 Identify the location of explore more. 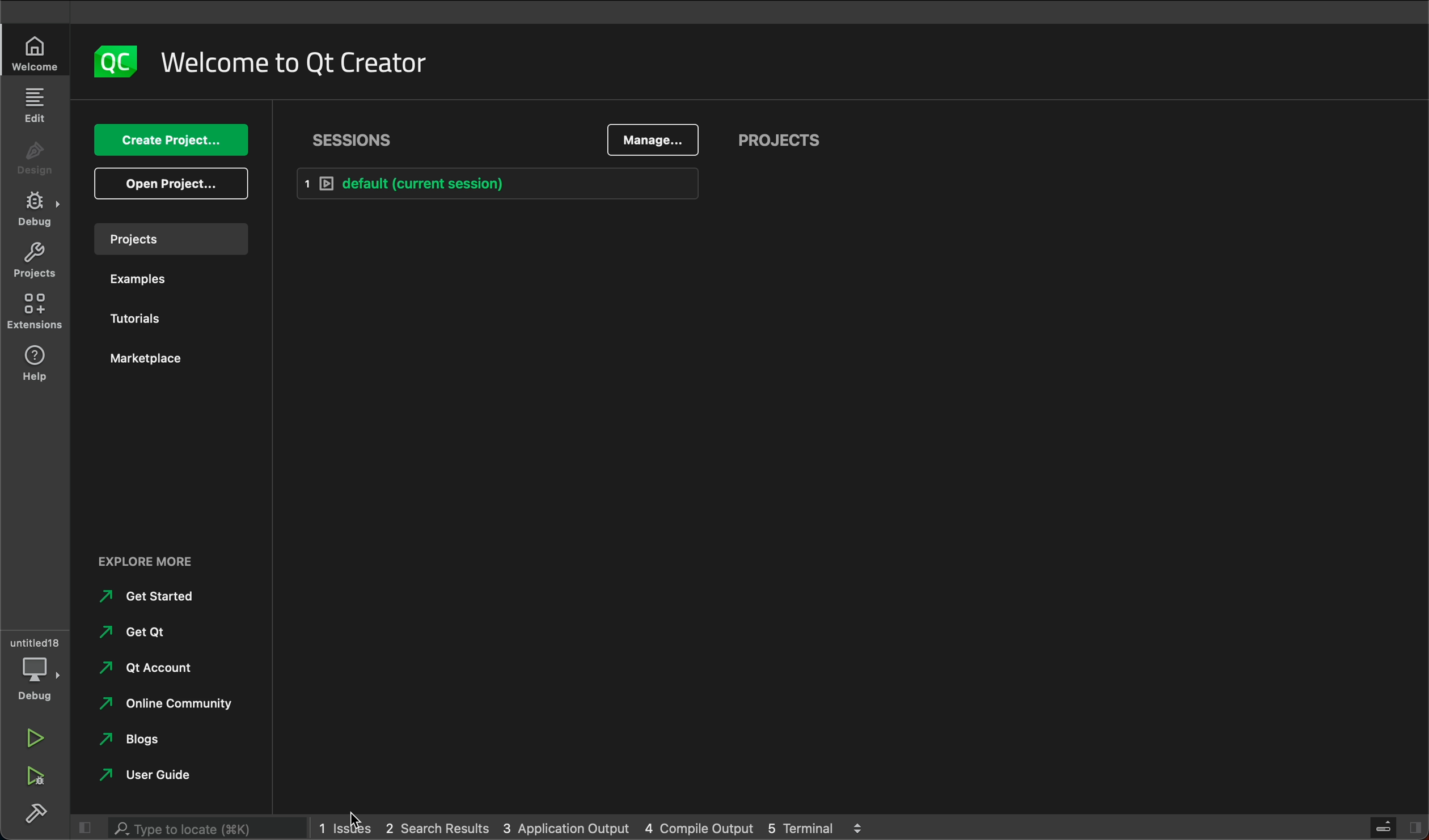
(147, 562).